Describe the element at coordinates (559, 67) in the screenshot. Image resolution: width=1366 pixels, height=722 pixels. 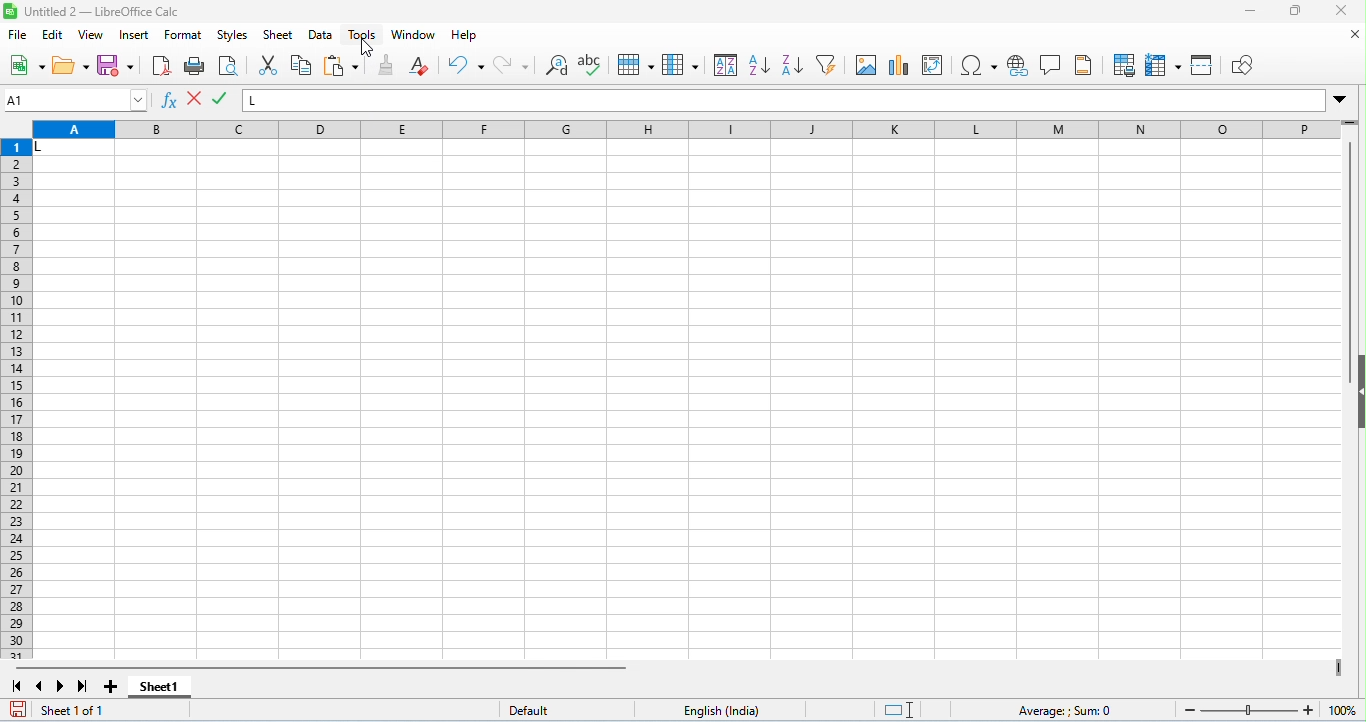
I see `find and replace` at that location.